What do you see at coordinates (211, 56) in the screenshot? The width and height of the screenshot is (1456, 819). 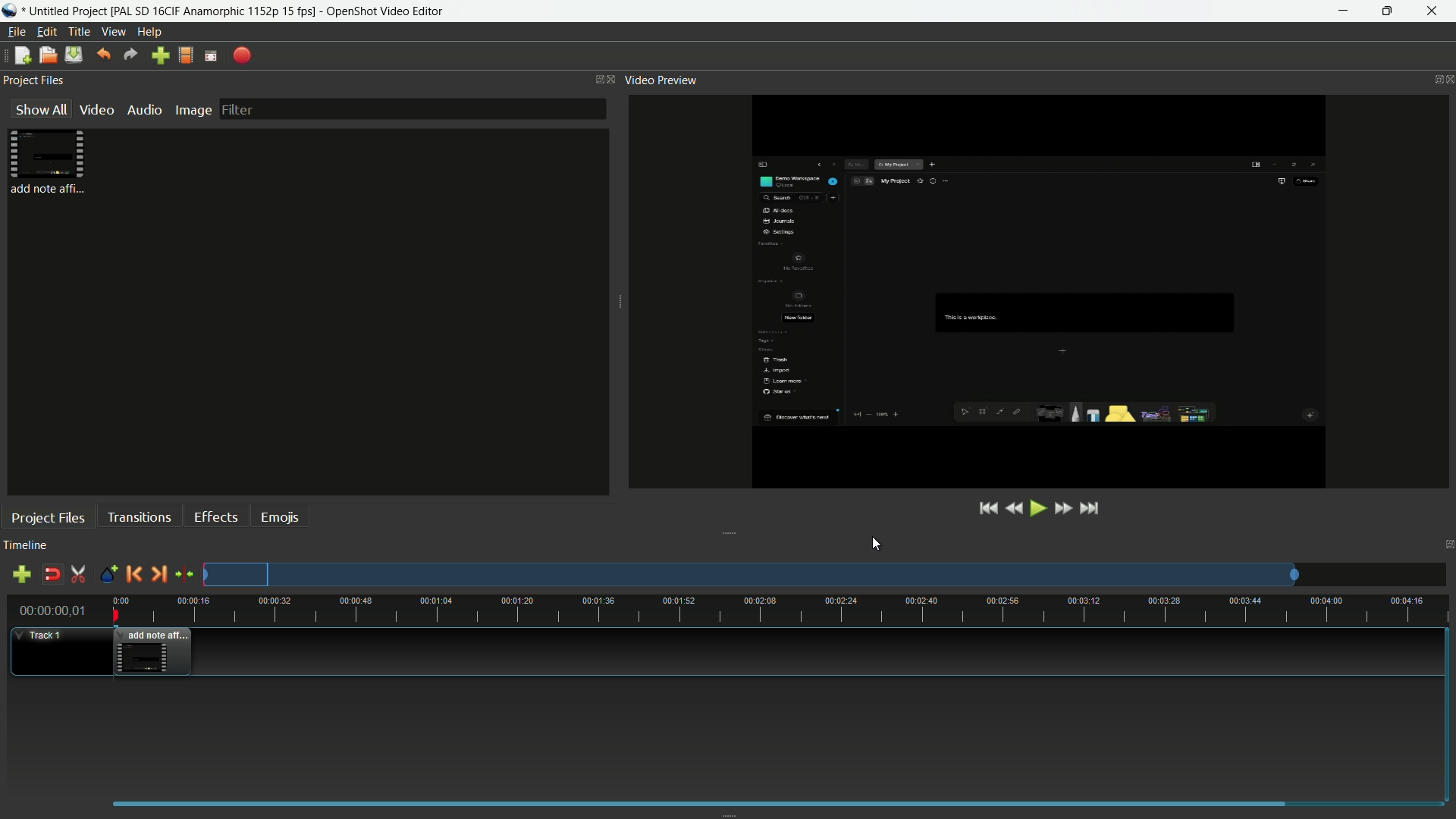 I see `full screen` at bounding box center [211, 56].